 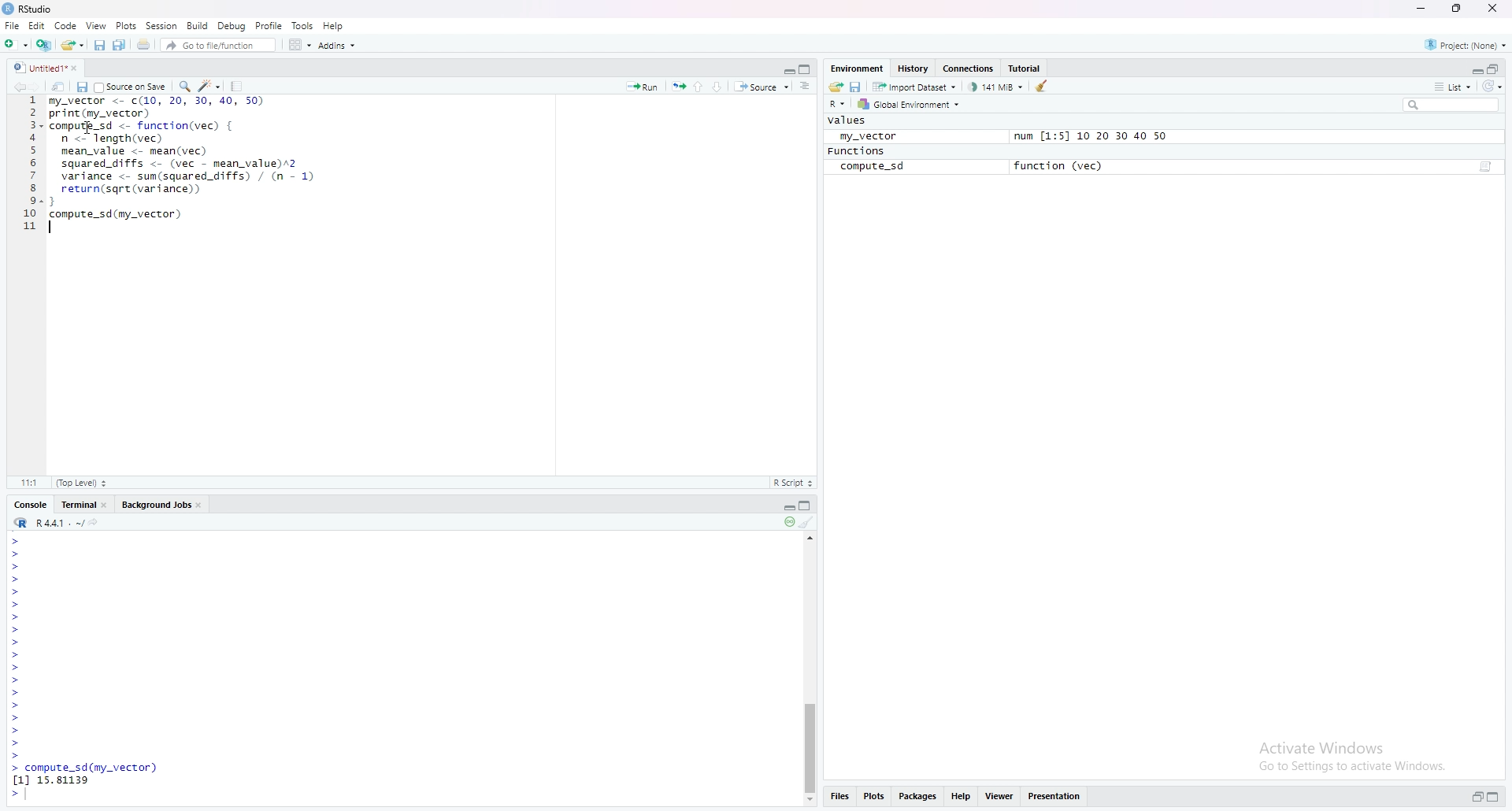 What do you see at coordinates (997, 86) in the screenshot?
I see `141 Mib used by R session` at bounding box center [997, 86].